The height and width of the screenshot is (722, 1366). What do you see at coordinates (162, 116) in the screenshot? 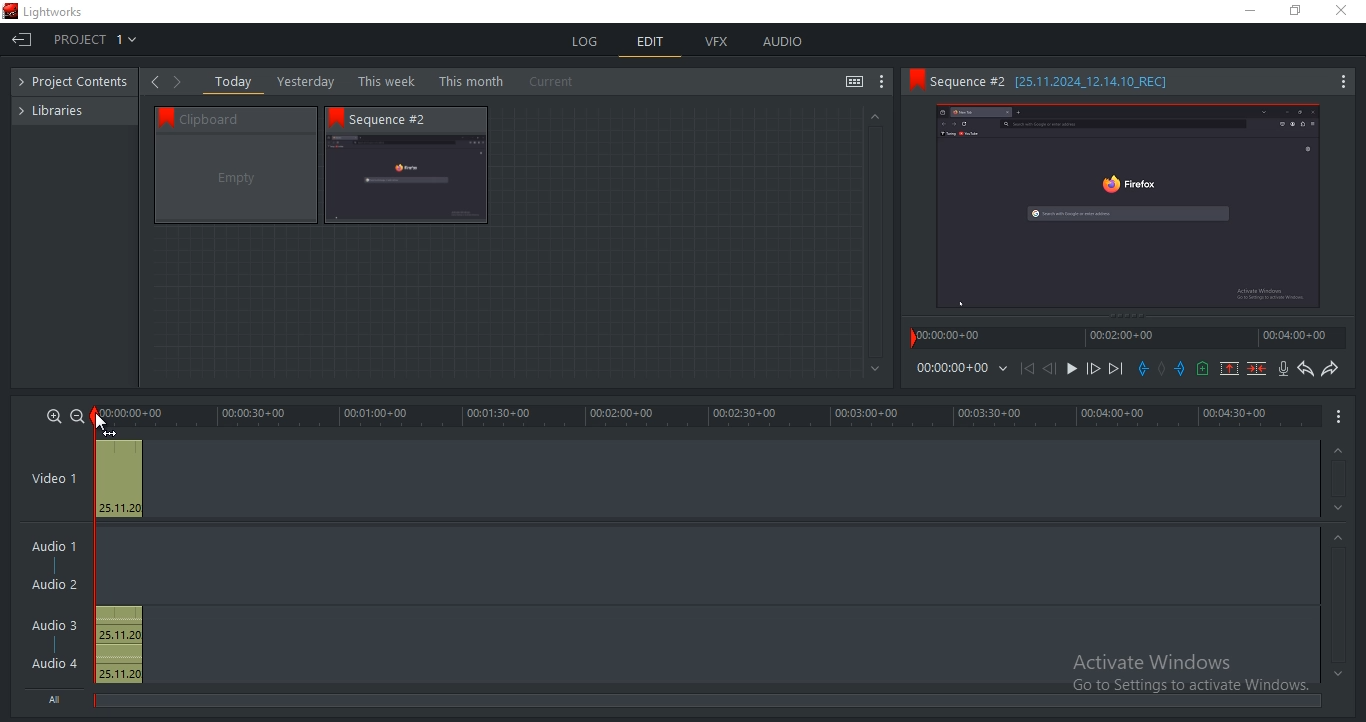
I see `Bookmark icon` at bounding box center [162, 116].